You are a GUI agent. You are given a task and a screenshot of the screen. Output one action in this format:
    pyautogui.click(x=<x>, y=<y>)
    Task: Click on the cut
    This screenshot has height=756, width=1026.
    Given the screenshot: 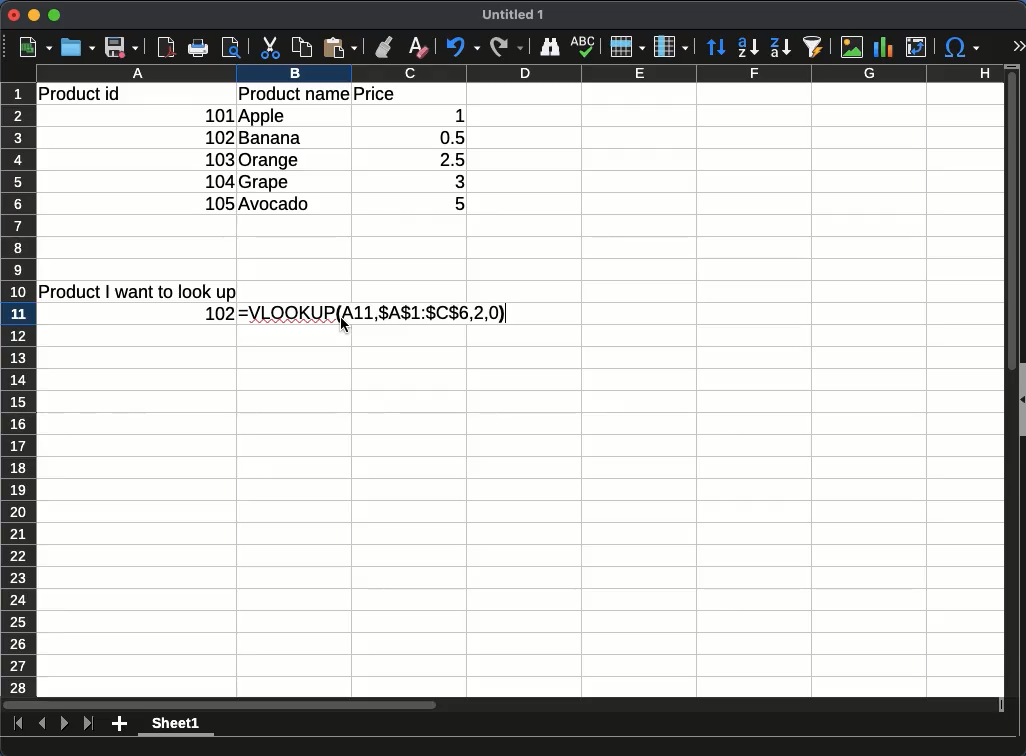 What is the action you would take?
    pyautogui.click(x=270, y=47)
    